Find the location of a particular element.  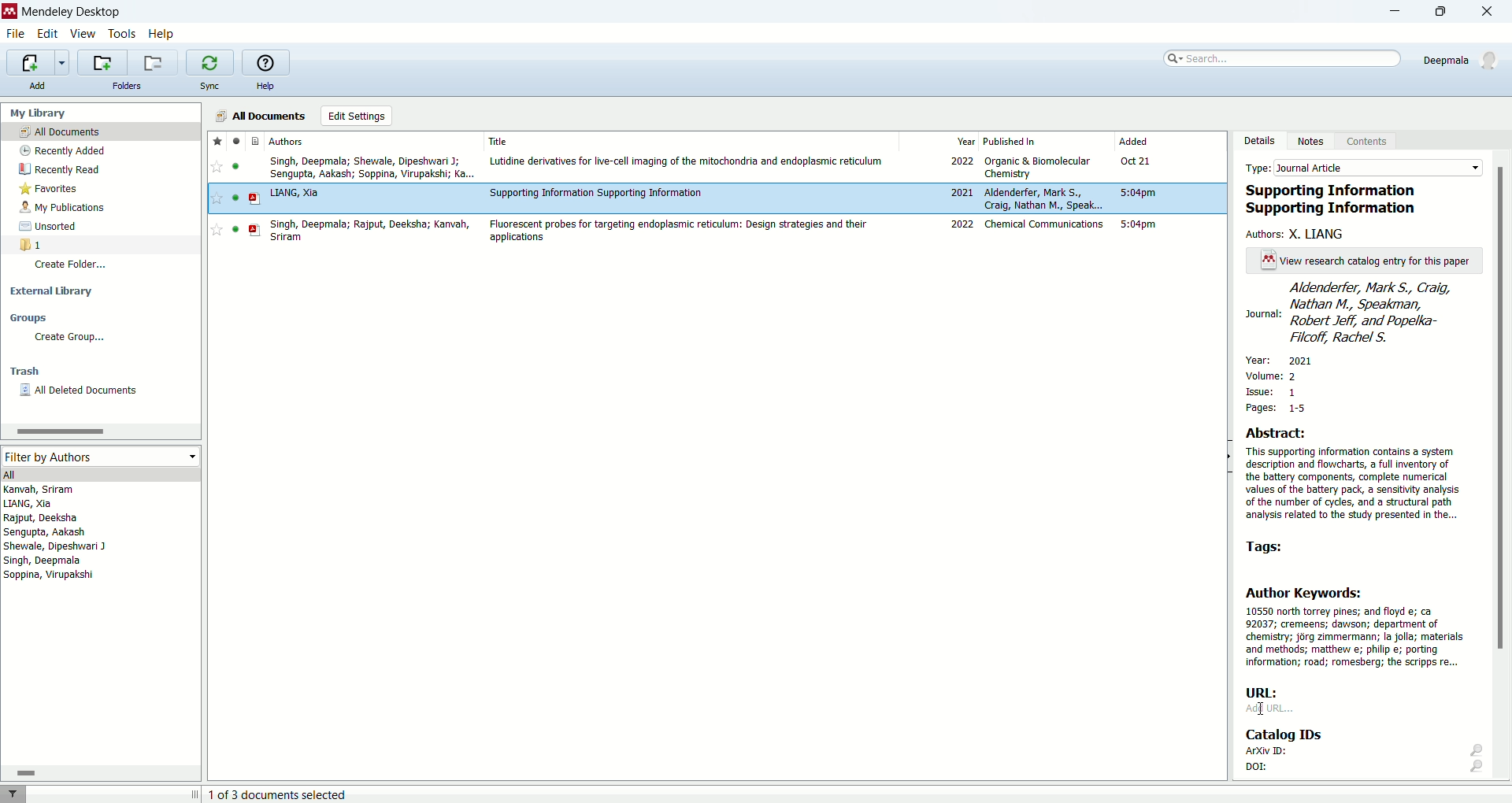

sengupta, aakash is located at coordinates (46, 532).